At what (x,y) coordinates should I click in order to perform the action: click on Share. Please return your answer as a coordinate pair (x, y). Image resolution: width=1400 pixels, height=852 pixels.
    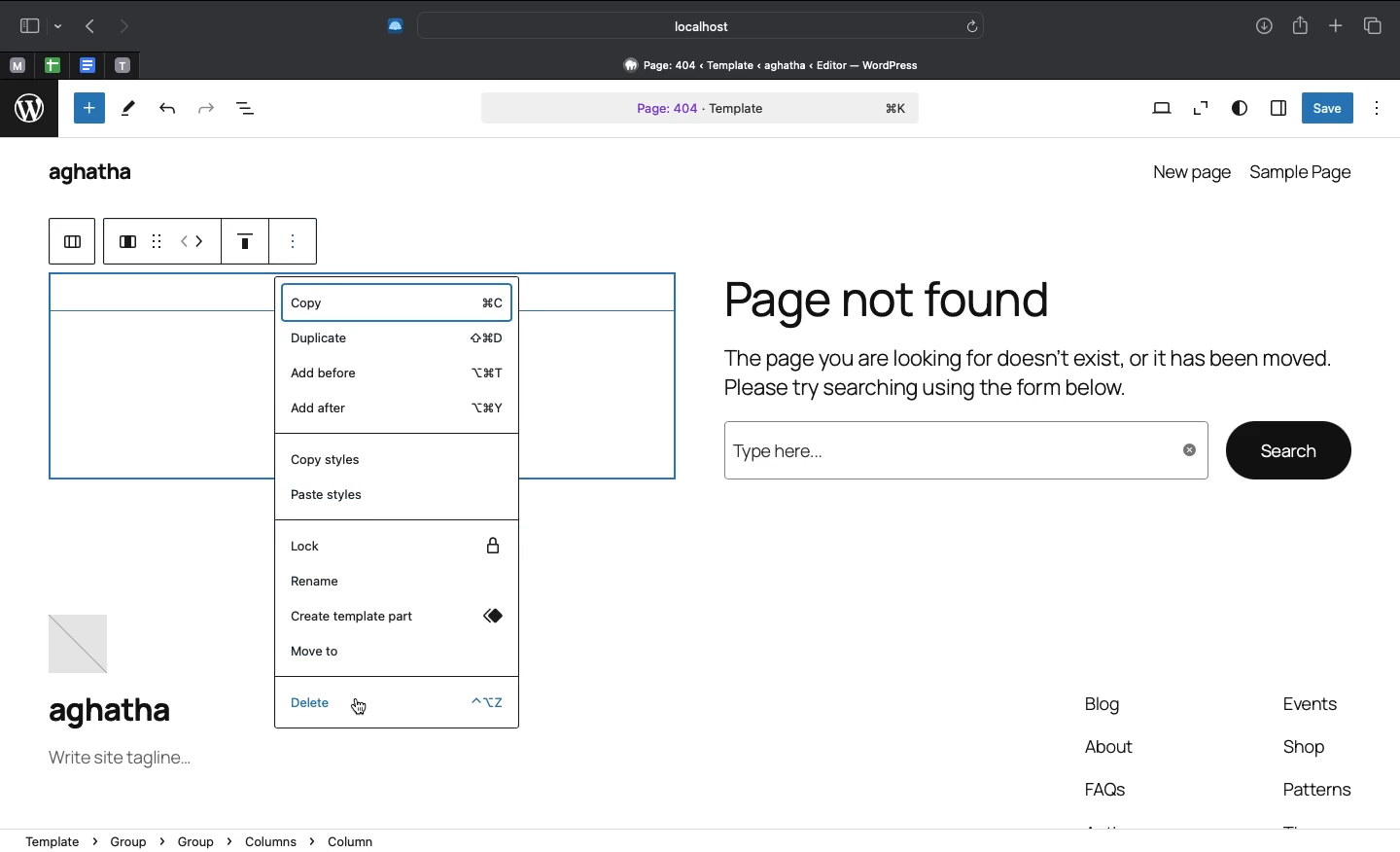
    Looking at the image, I should click on (1299, 23).